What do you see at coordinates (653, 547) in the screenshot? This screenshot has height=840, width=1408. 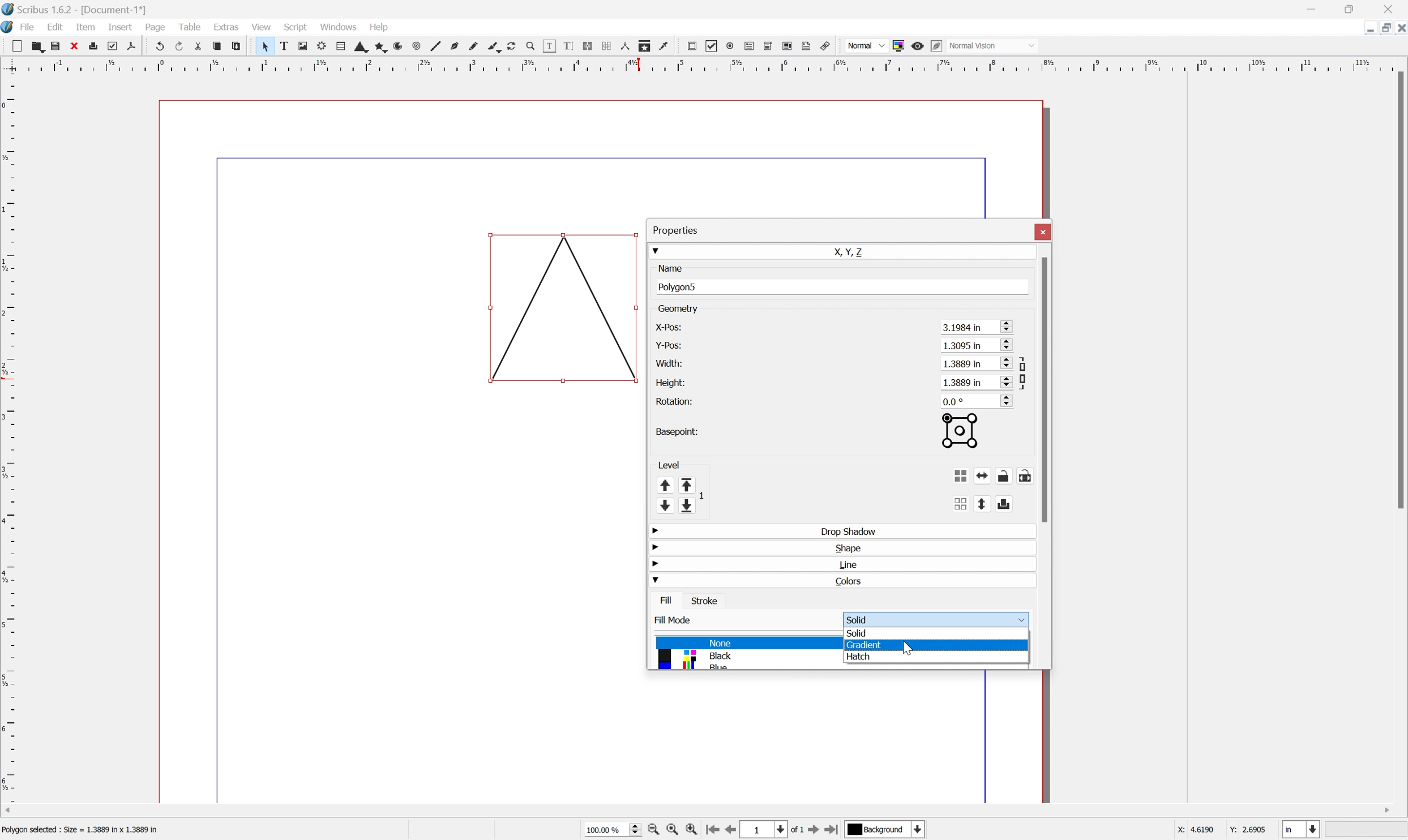 I see `Drop Down` at bounding box center [653, 547].